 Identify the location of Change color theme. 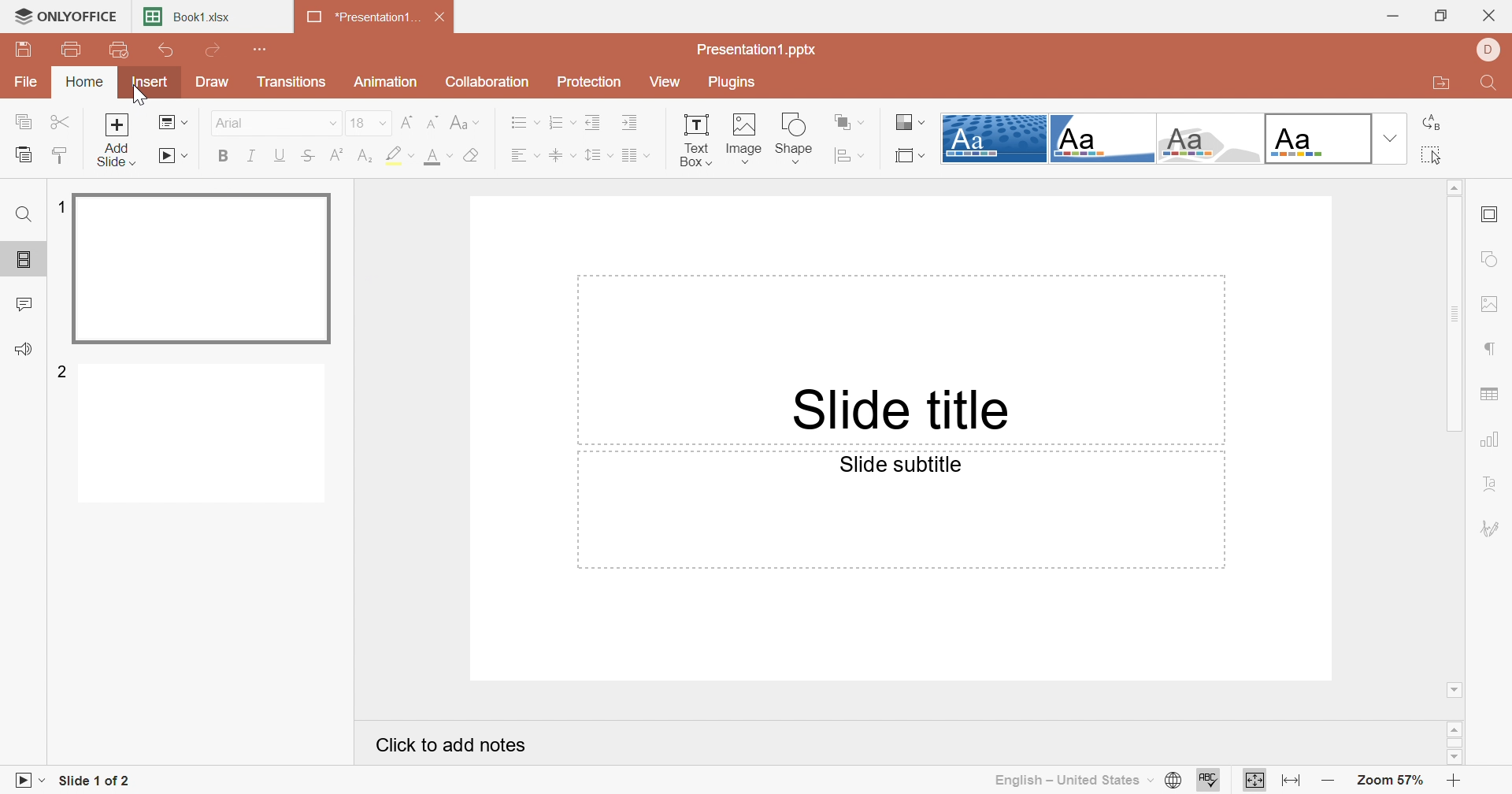
(906, 121).